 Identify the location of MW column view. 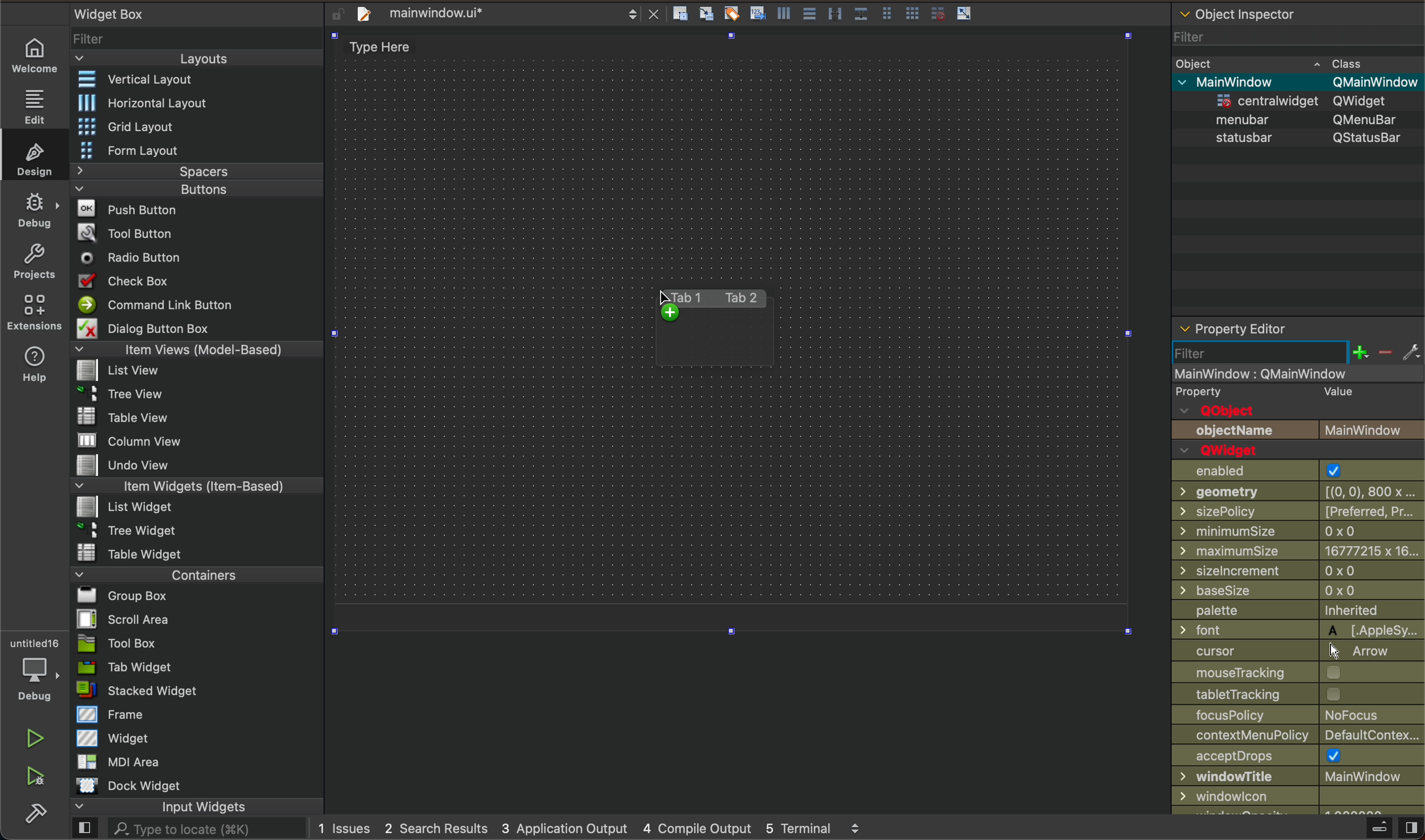
(117, 440).